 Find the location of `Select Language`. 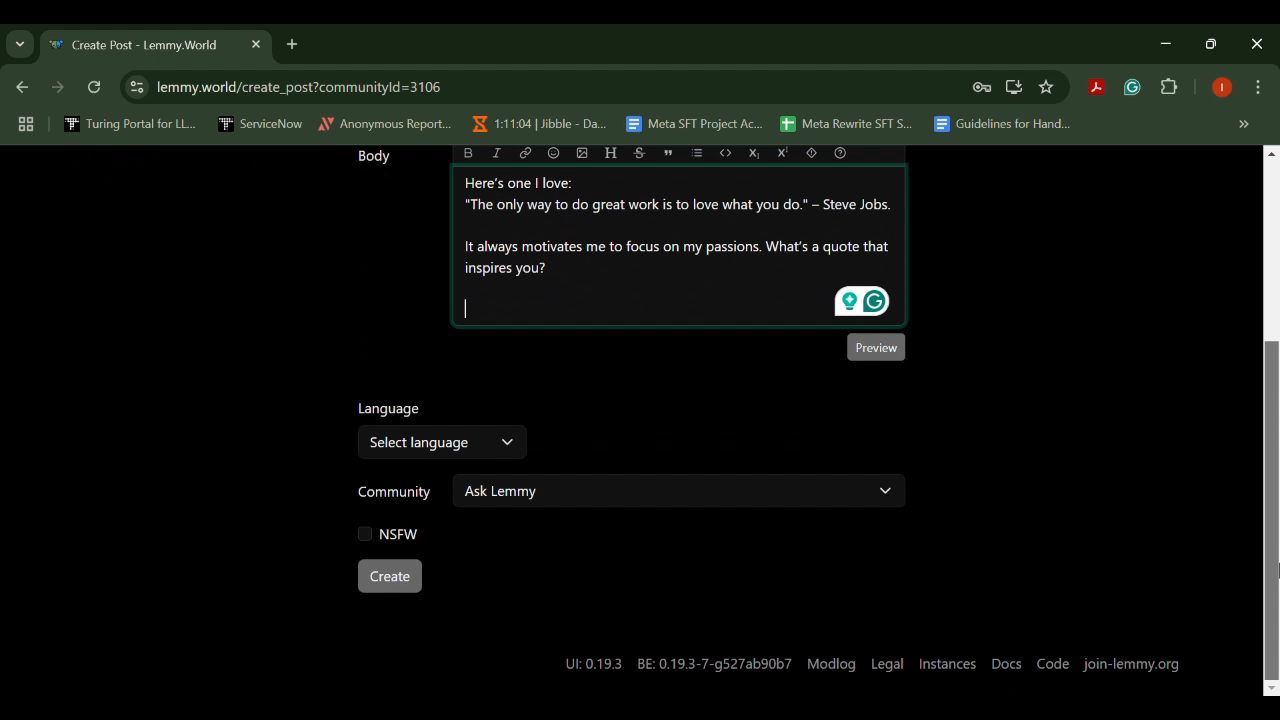

Select Language is located at coordinates (443, 446).